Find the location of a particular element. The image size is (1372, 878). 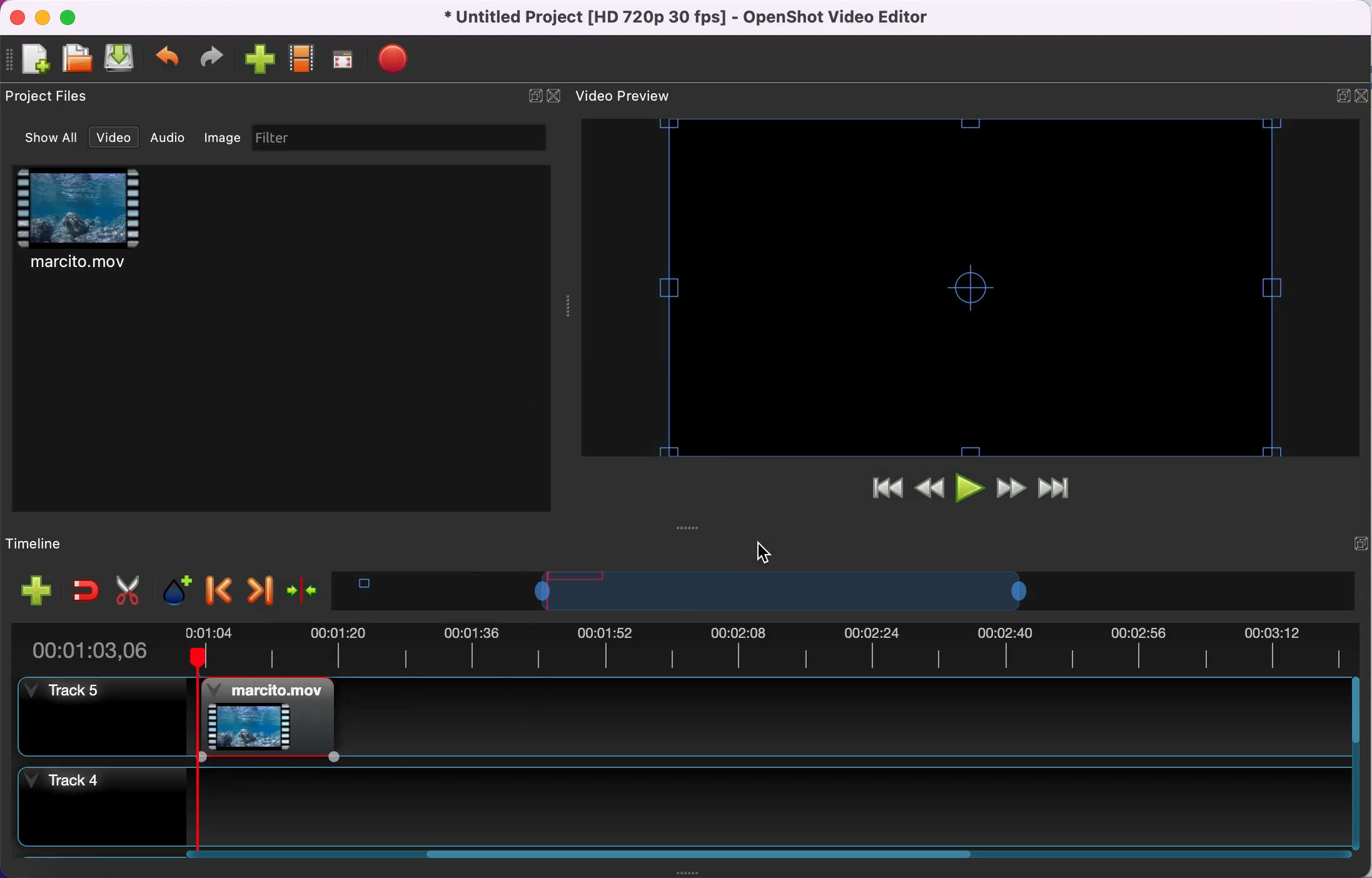

redo is located at coordinates (210, 58).